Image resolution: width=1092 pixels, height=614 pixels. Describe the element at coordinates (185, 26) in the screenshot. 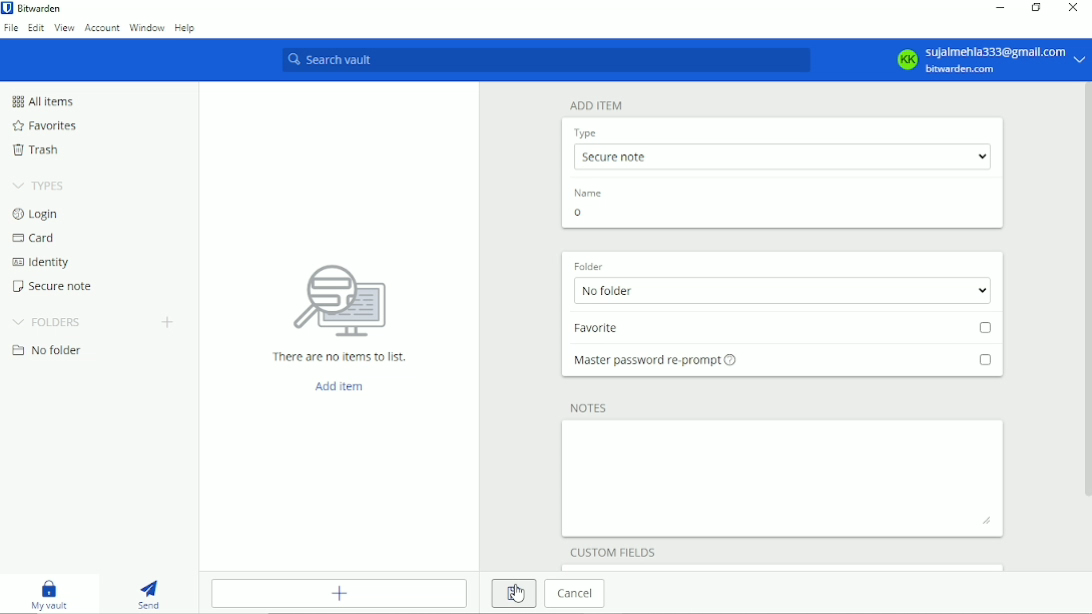

I see `Help` at that location.